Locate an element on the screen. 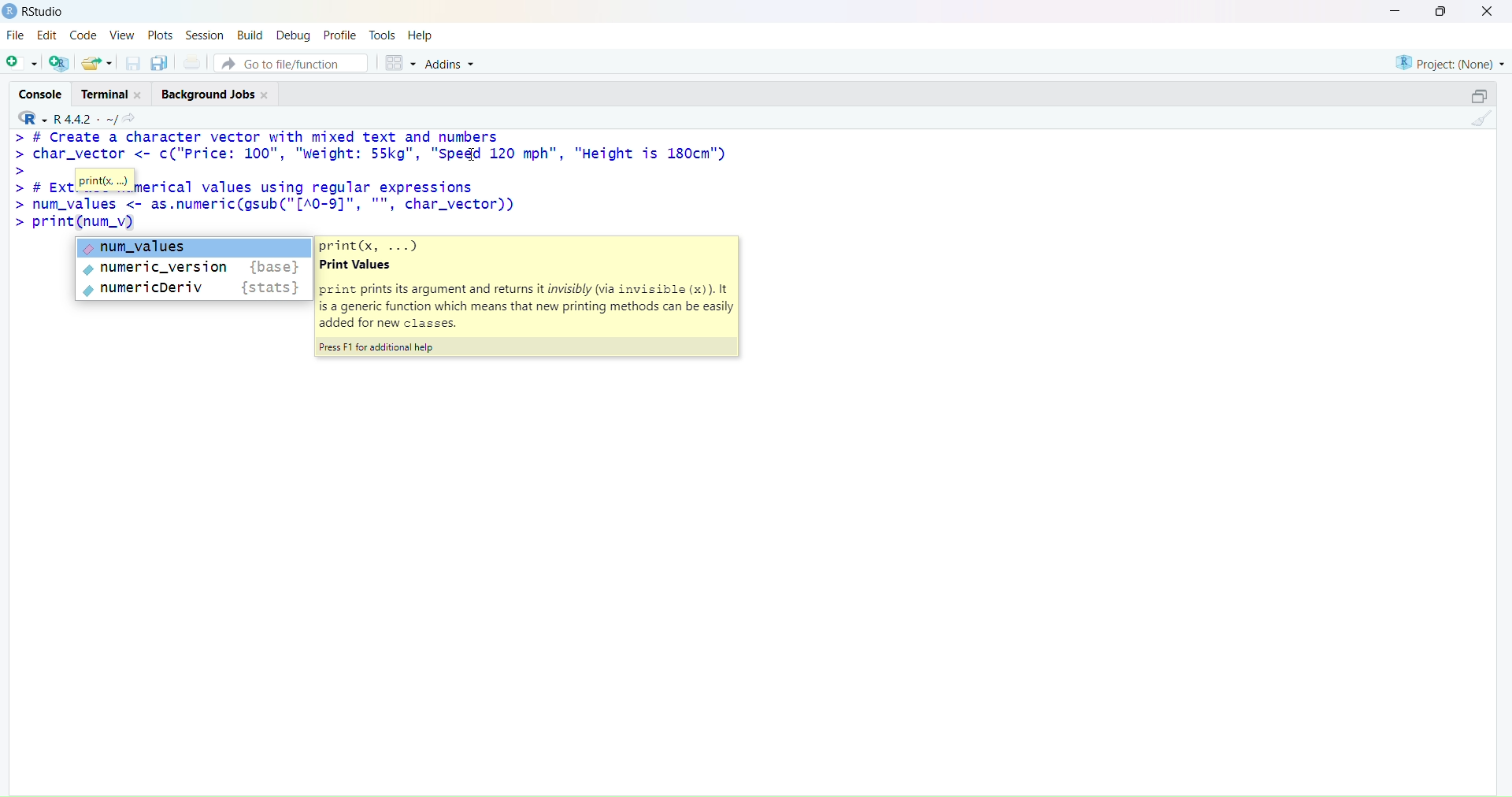  Save  is located at coordinates (134, 63).